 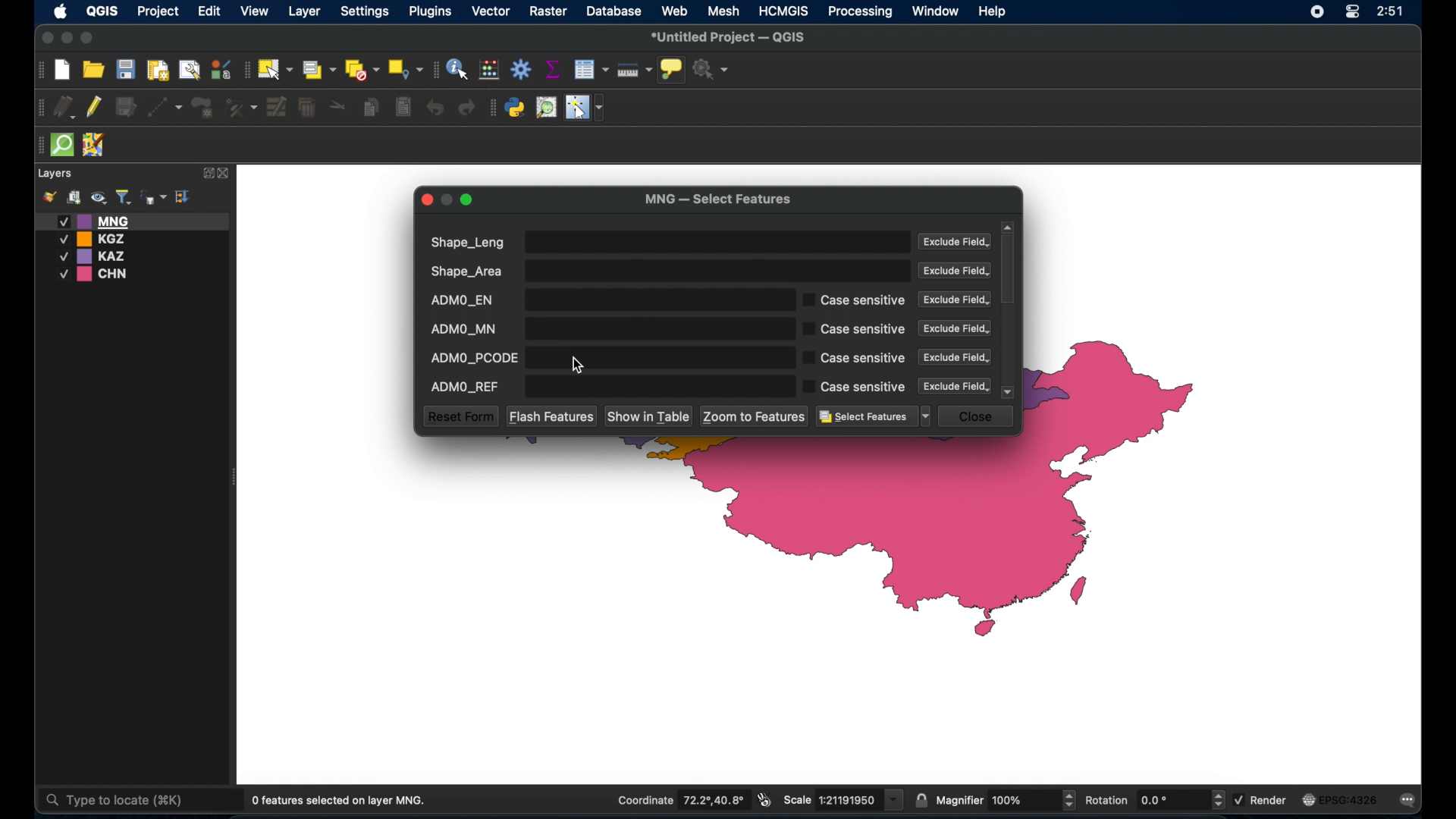 I want to click on zoom to features, so click(x=755, y=416).